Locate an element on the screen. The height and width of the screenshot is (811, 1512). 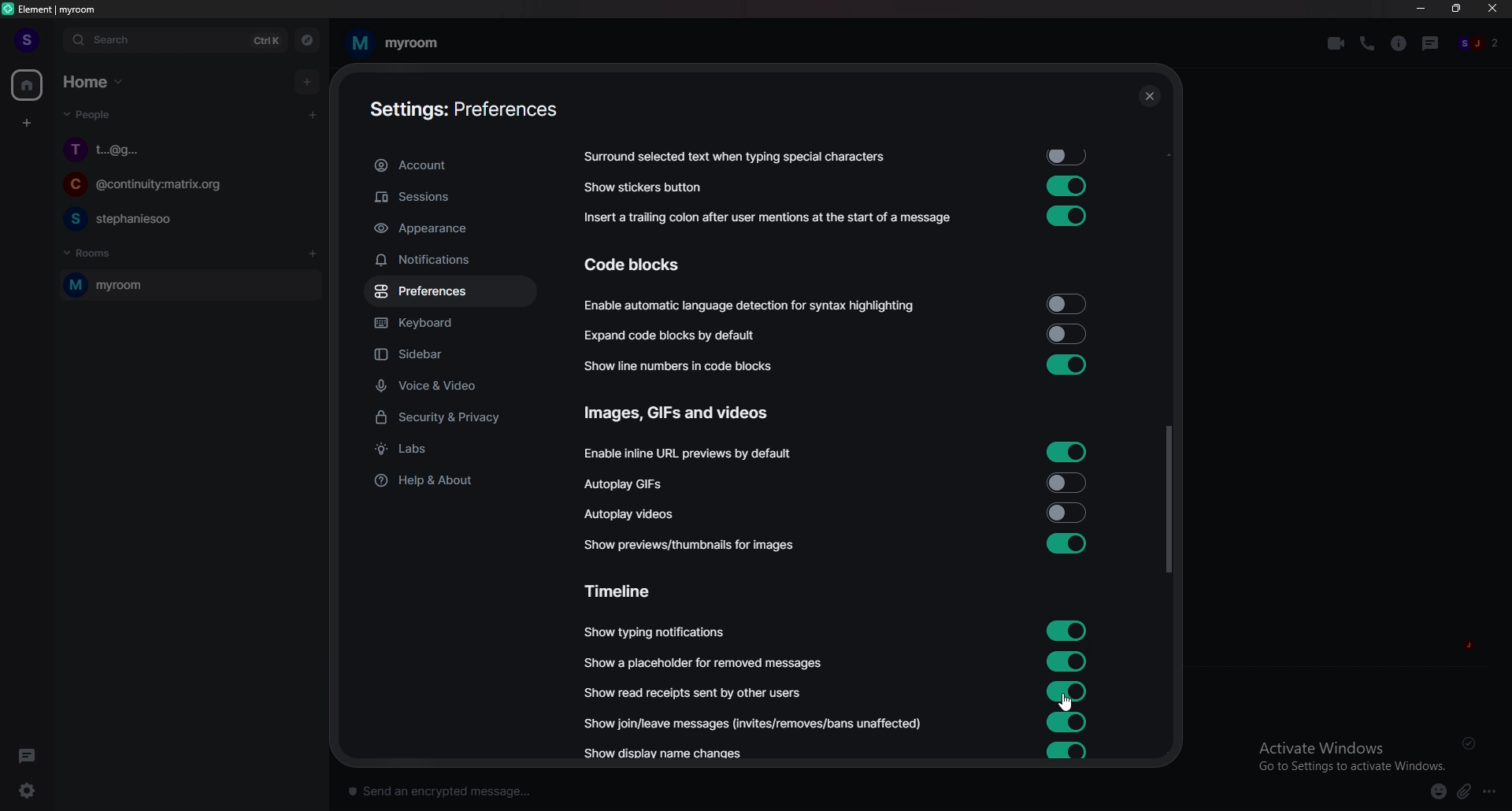
Activate Windows is located at coordinates (1346, 754).